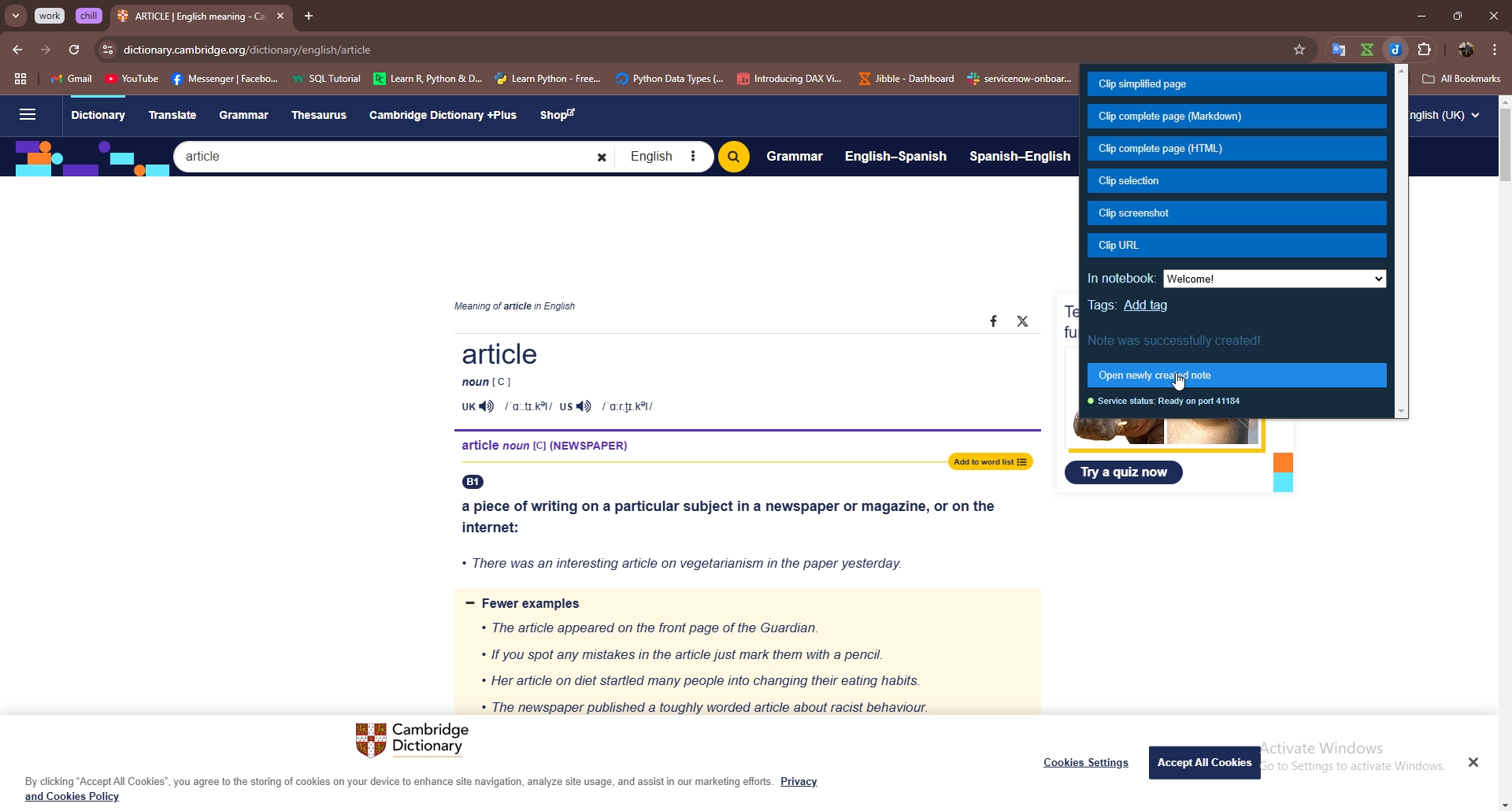 This screenshot has width=1512, height=811. I want to click on By clicking “Accept All Cookies”, you agree to the storing of cookies on your device to enhance site navigation, analyze site usage, and assist in our marketing efforts. Privacy
and Cookies Policy, so click(422, 789).